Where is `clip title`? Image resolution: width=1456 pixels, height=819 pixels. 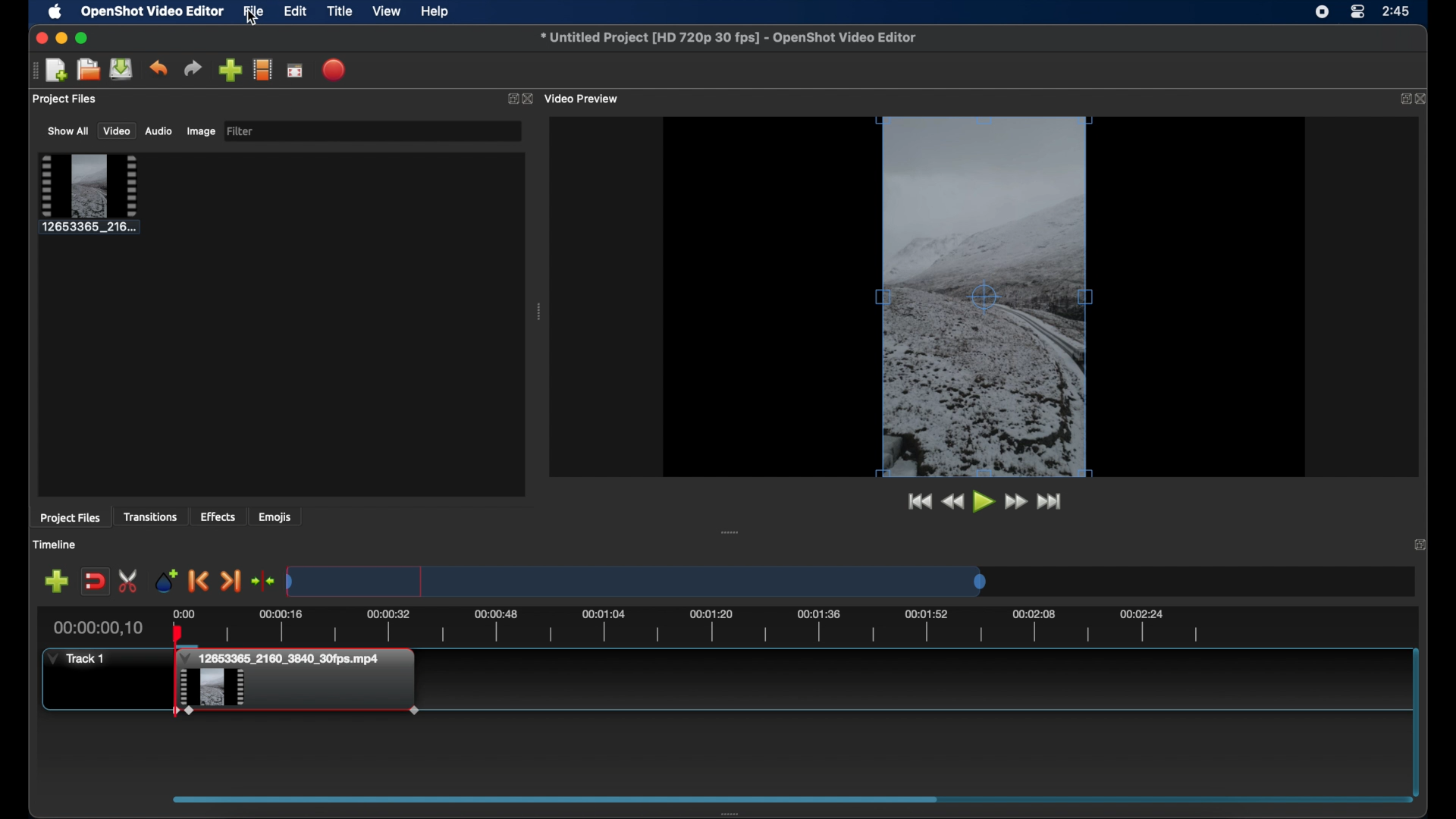 clip title is located at coordinates (285, 658).